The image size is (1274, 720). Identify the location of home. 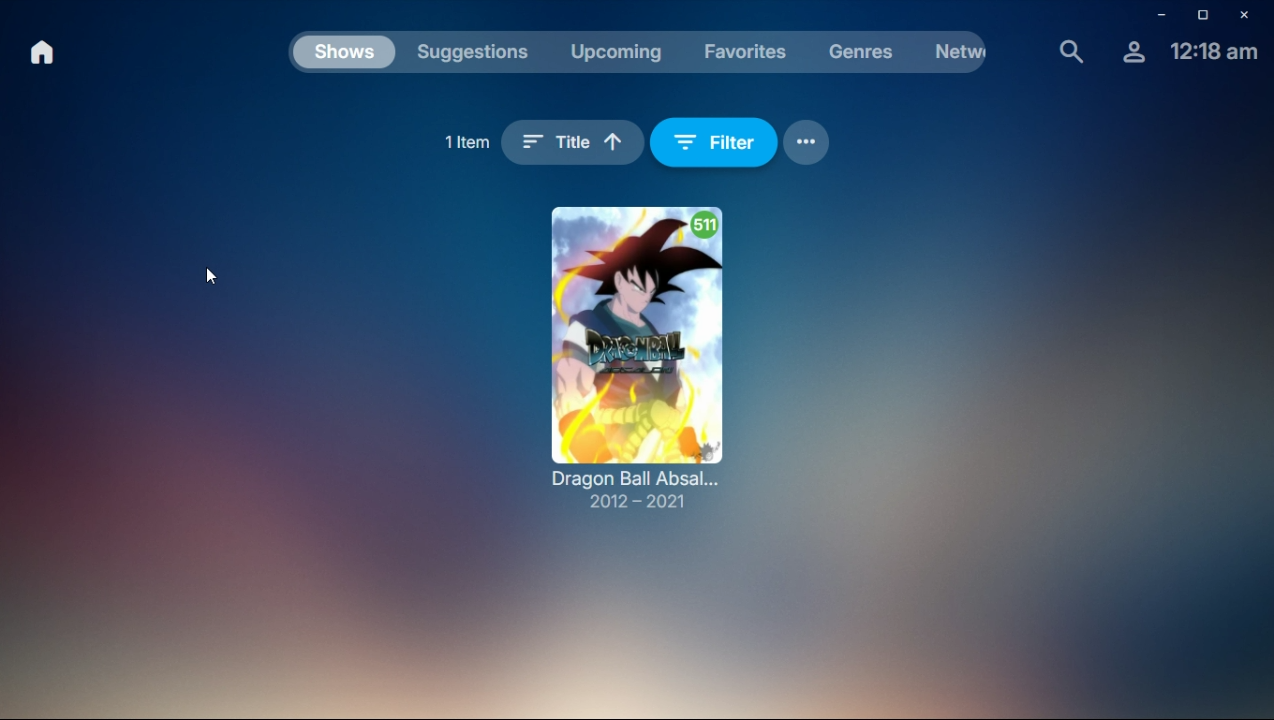
(43, 53).